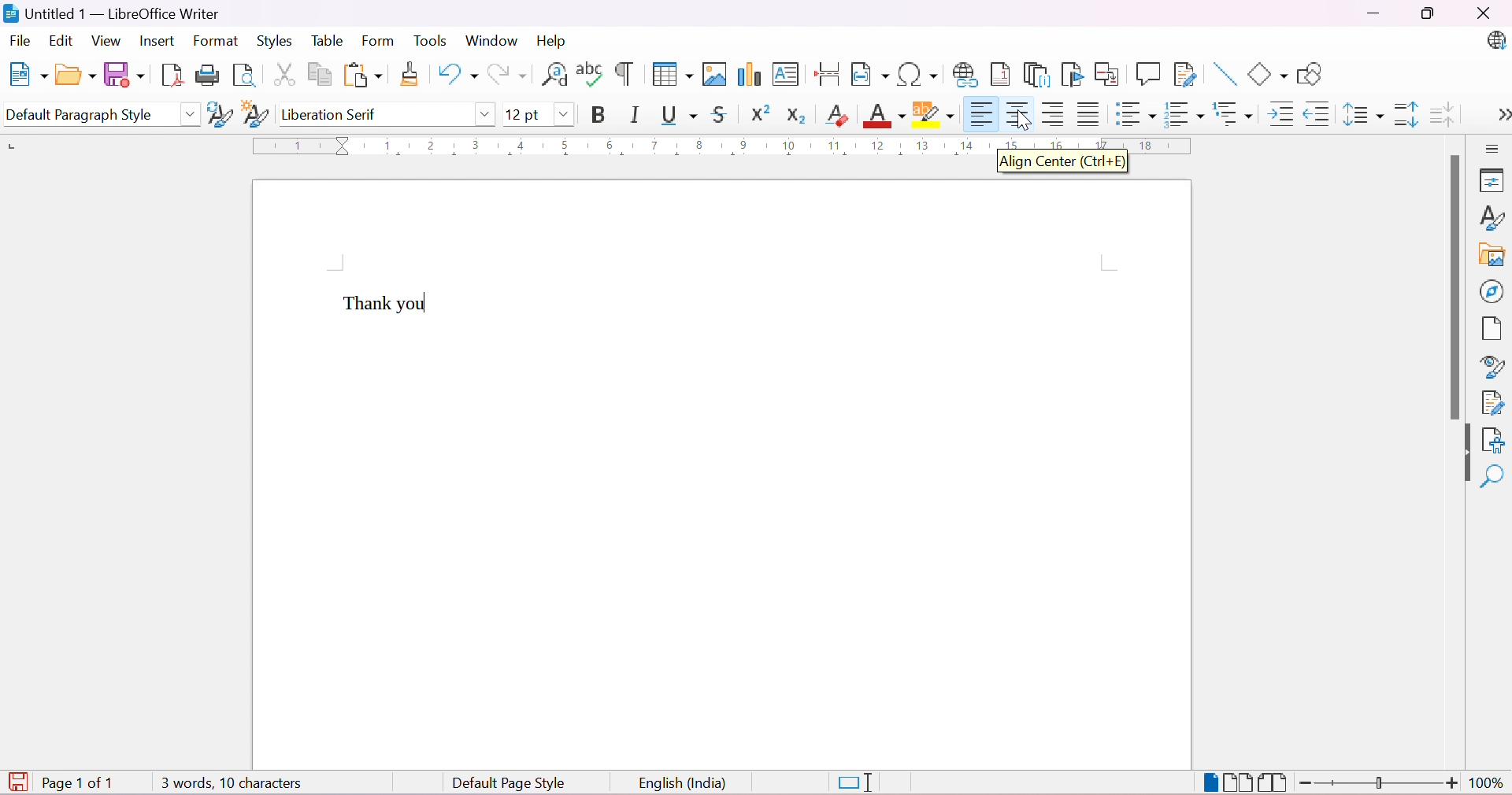  What do you see at coordinates (1499, 42) in the screenshot?
I see `LibreOffice Update Available` at bounding box center [1499, 42].